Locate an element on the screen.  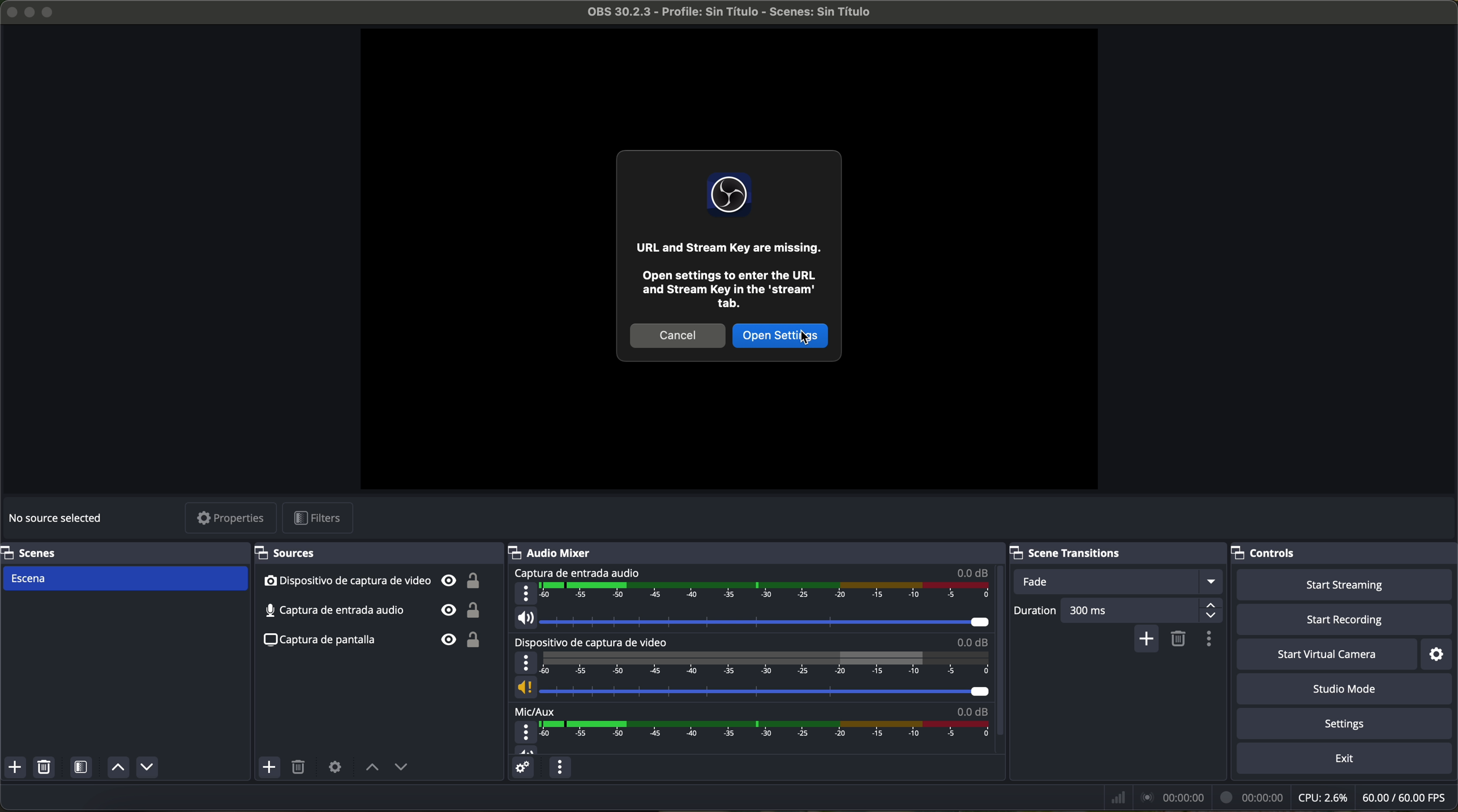
audio mixer is located at coordinates (757, 552).